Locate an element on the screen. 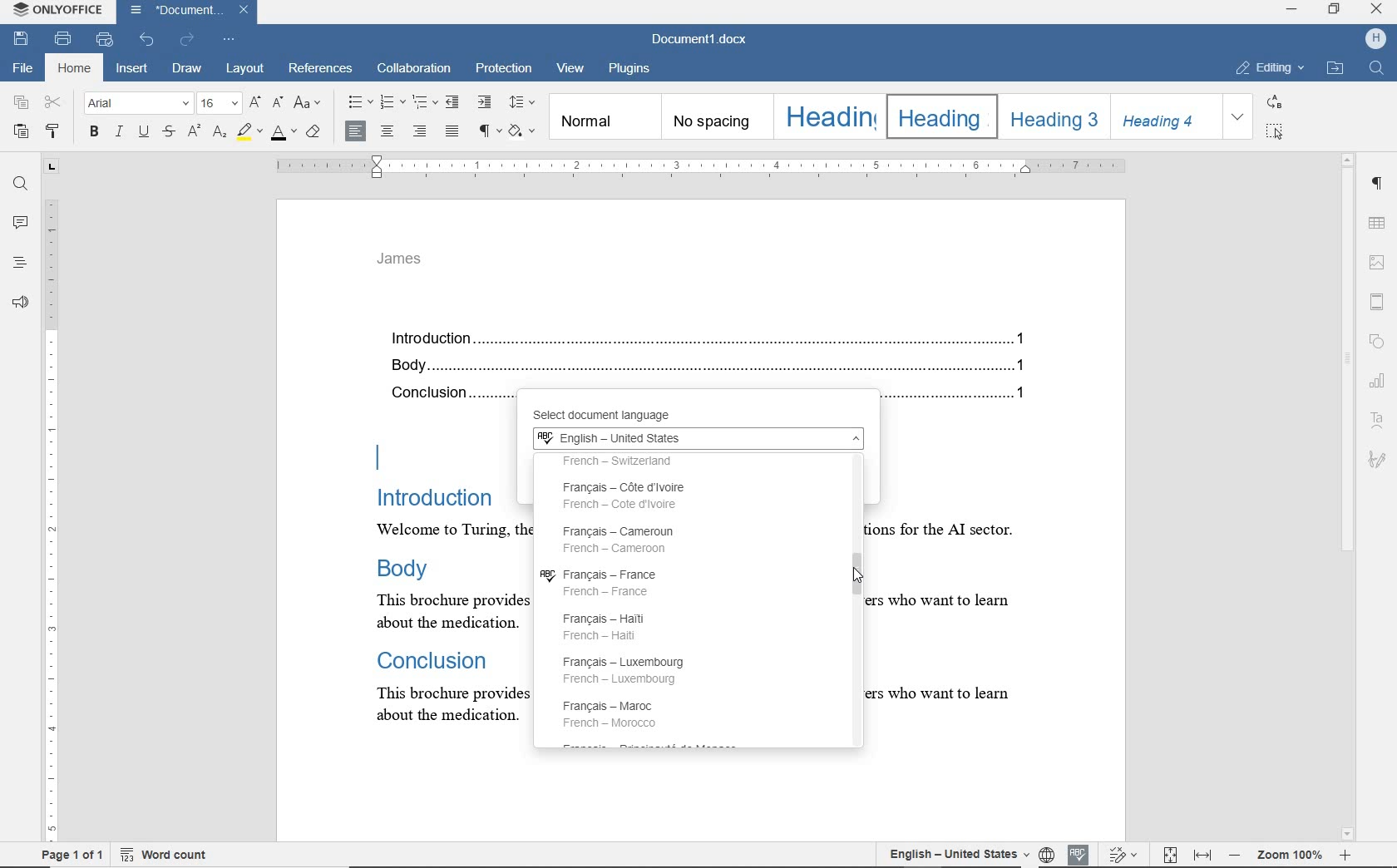 The height and width of the screenshot is (868, 1397). table is located at coordinates (1379, 223).